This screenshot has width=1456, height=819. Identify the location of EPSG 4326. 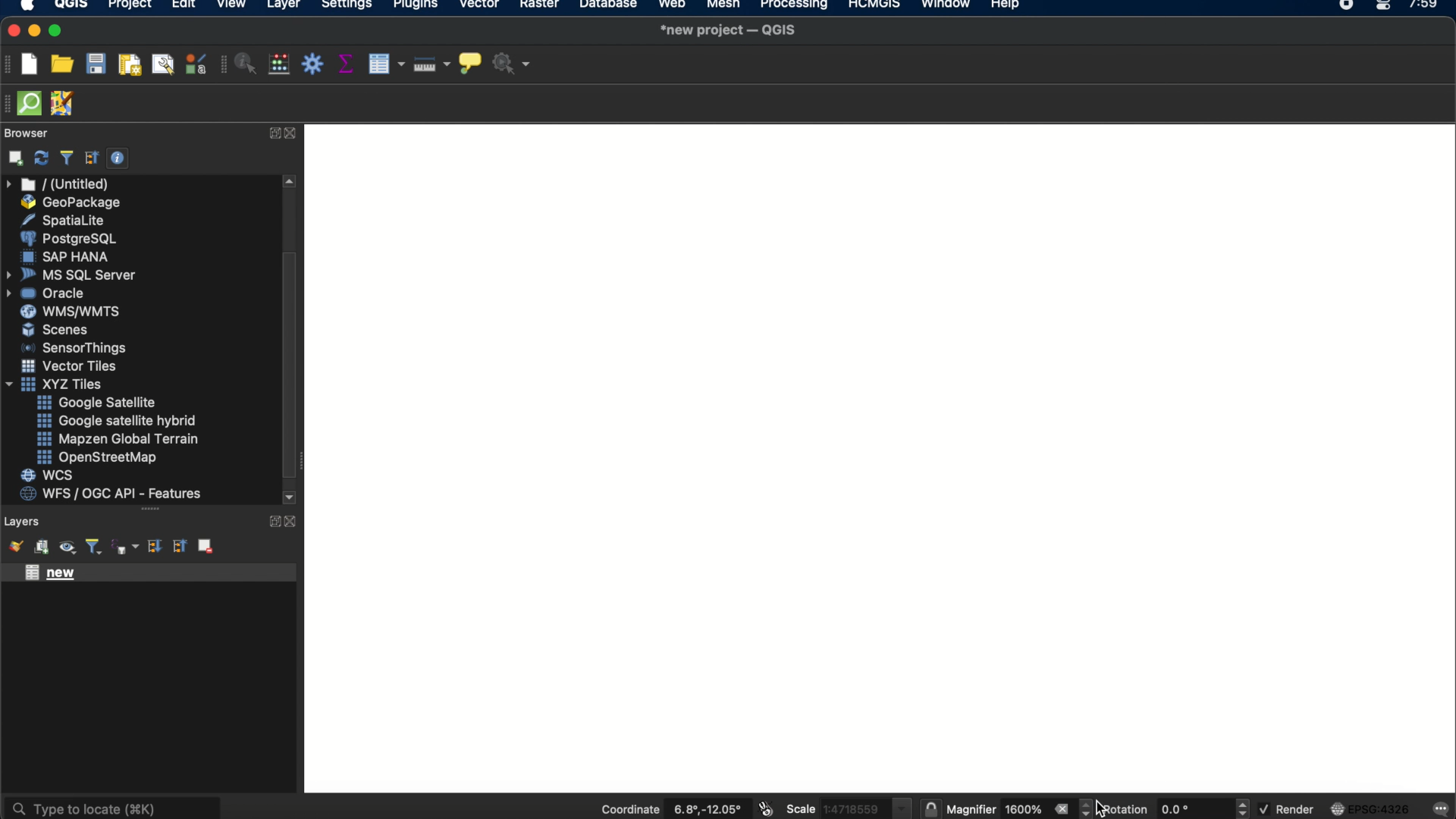
(1376, 808).